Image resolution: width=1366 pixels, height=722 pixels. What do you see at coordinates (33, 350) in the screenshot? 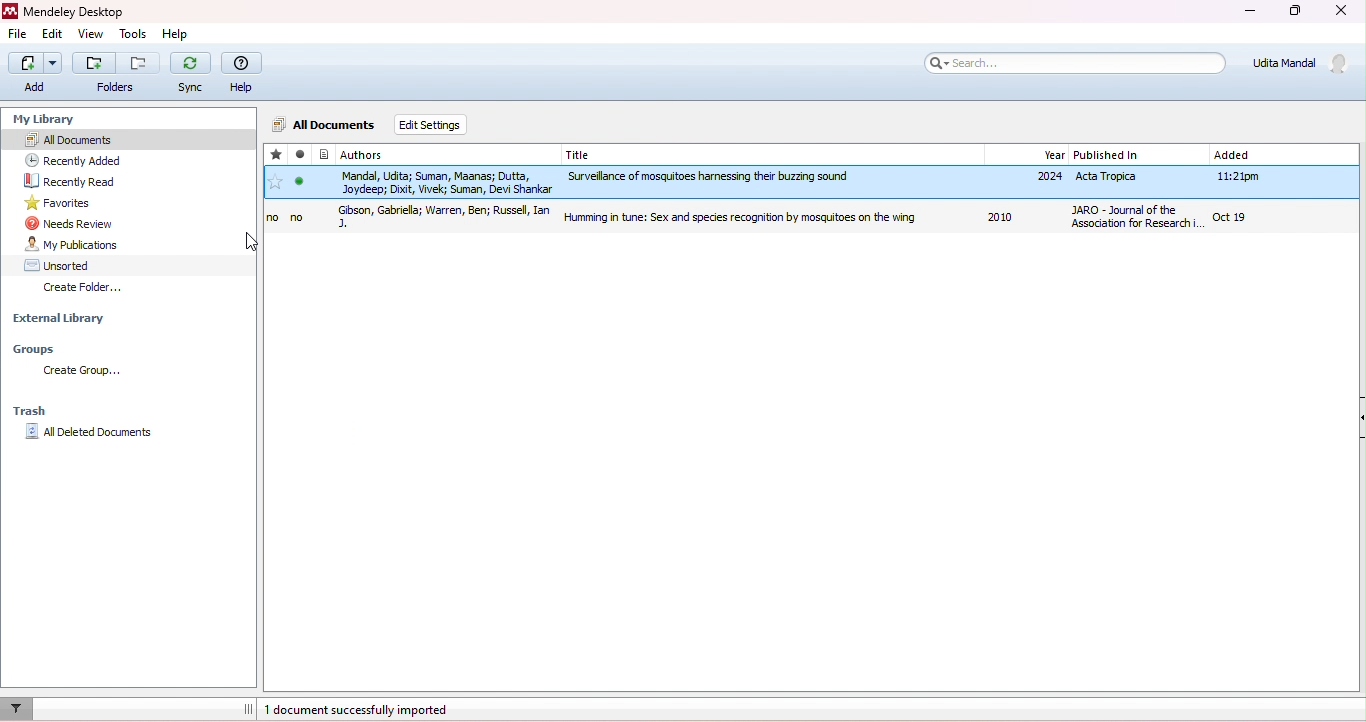
I see `Groups` at bounding box center [33, 350].